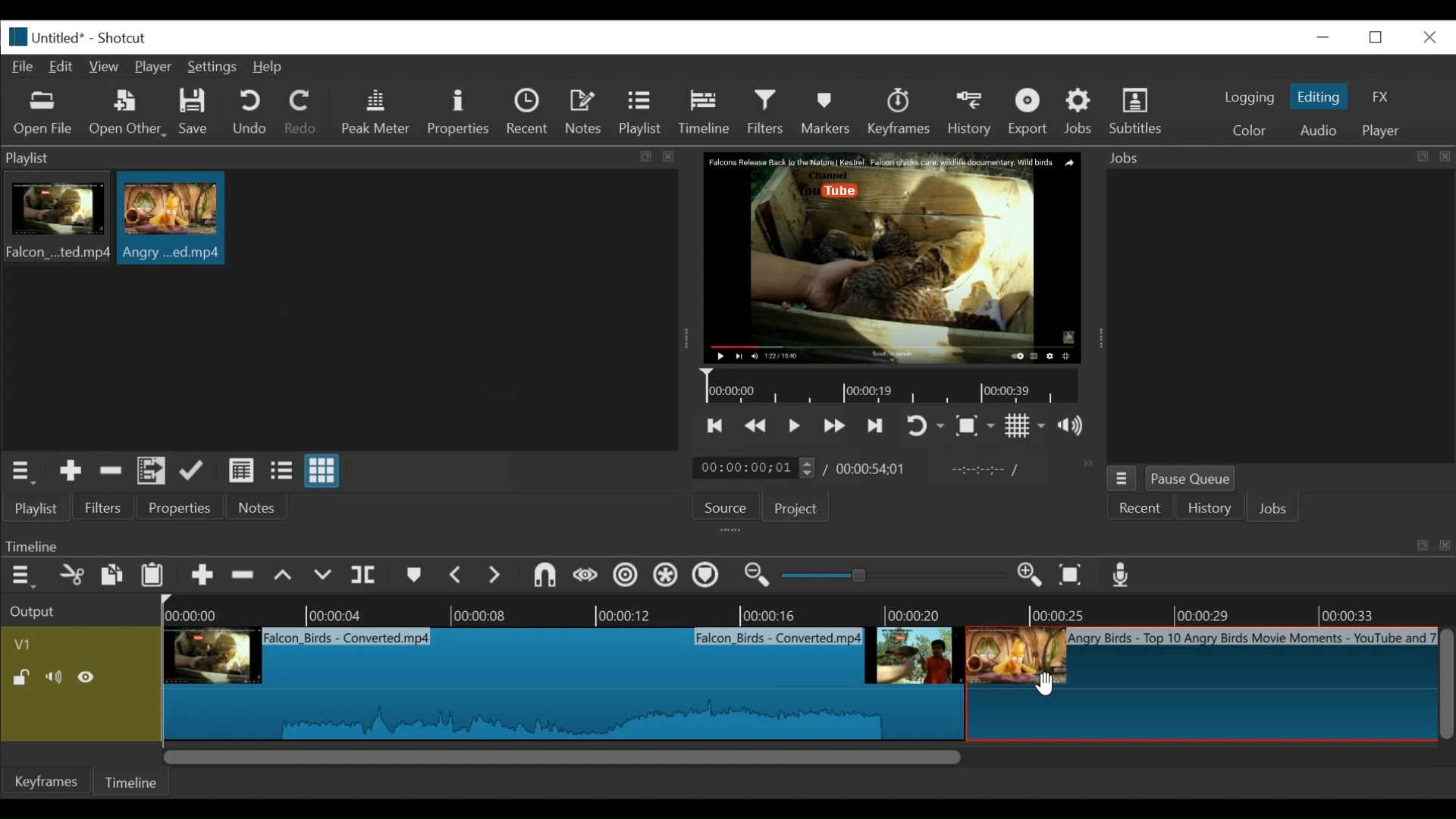 This screenshot has height=819, width=1456. I want to click on Pause Queue, so click(1191, 482).